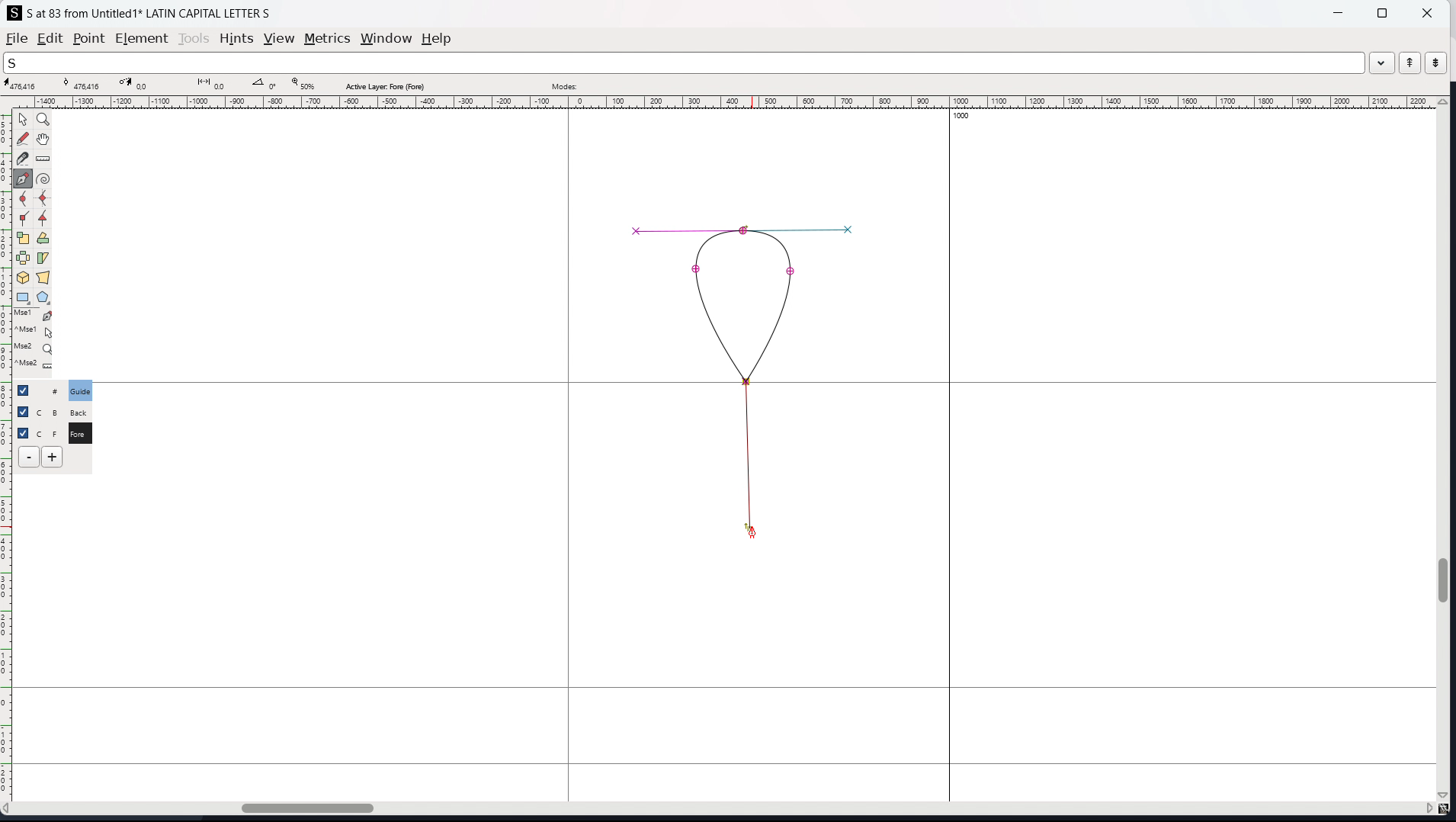  Describe the element at coordinates (43, 159) in the screenshot. I see `measure distance, angle between two points` at that location.